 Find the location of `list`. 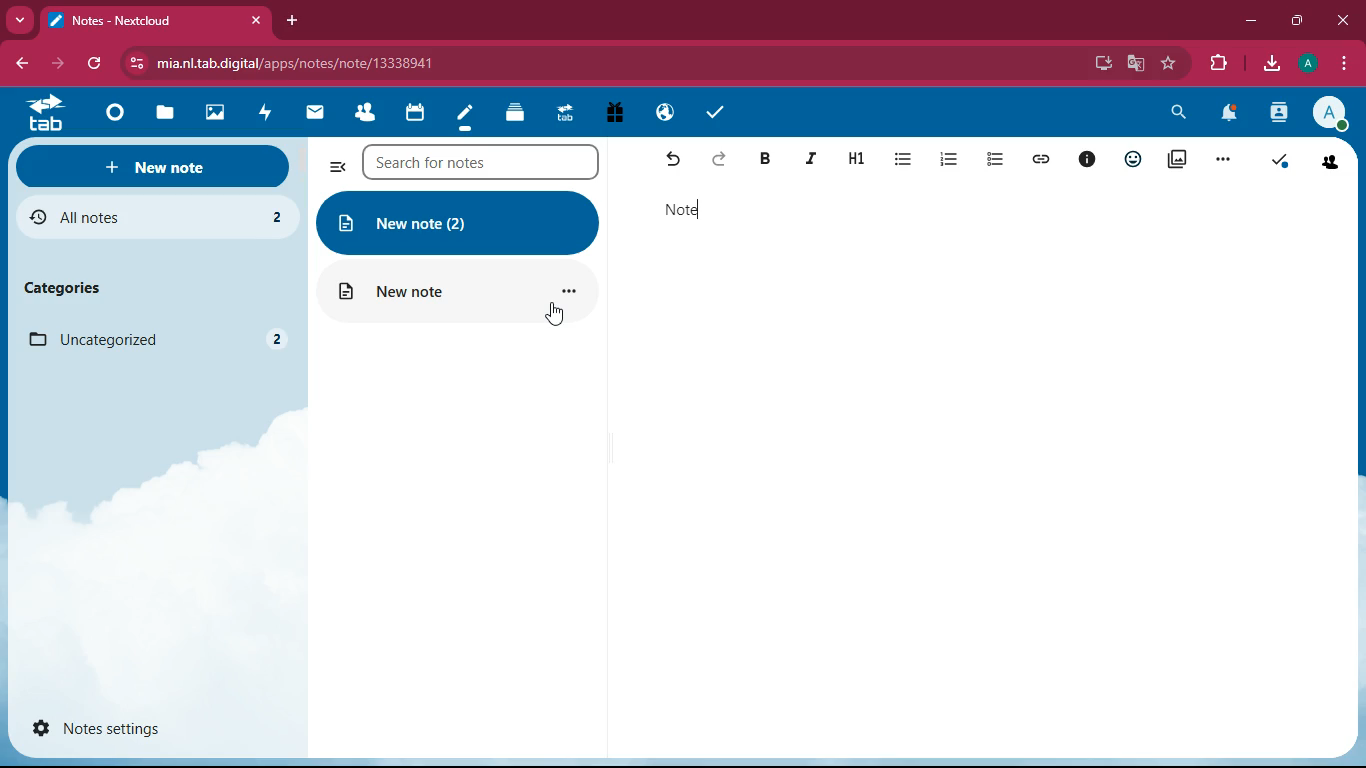

list is located at coordinates (997, 160).